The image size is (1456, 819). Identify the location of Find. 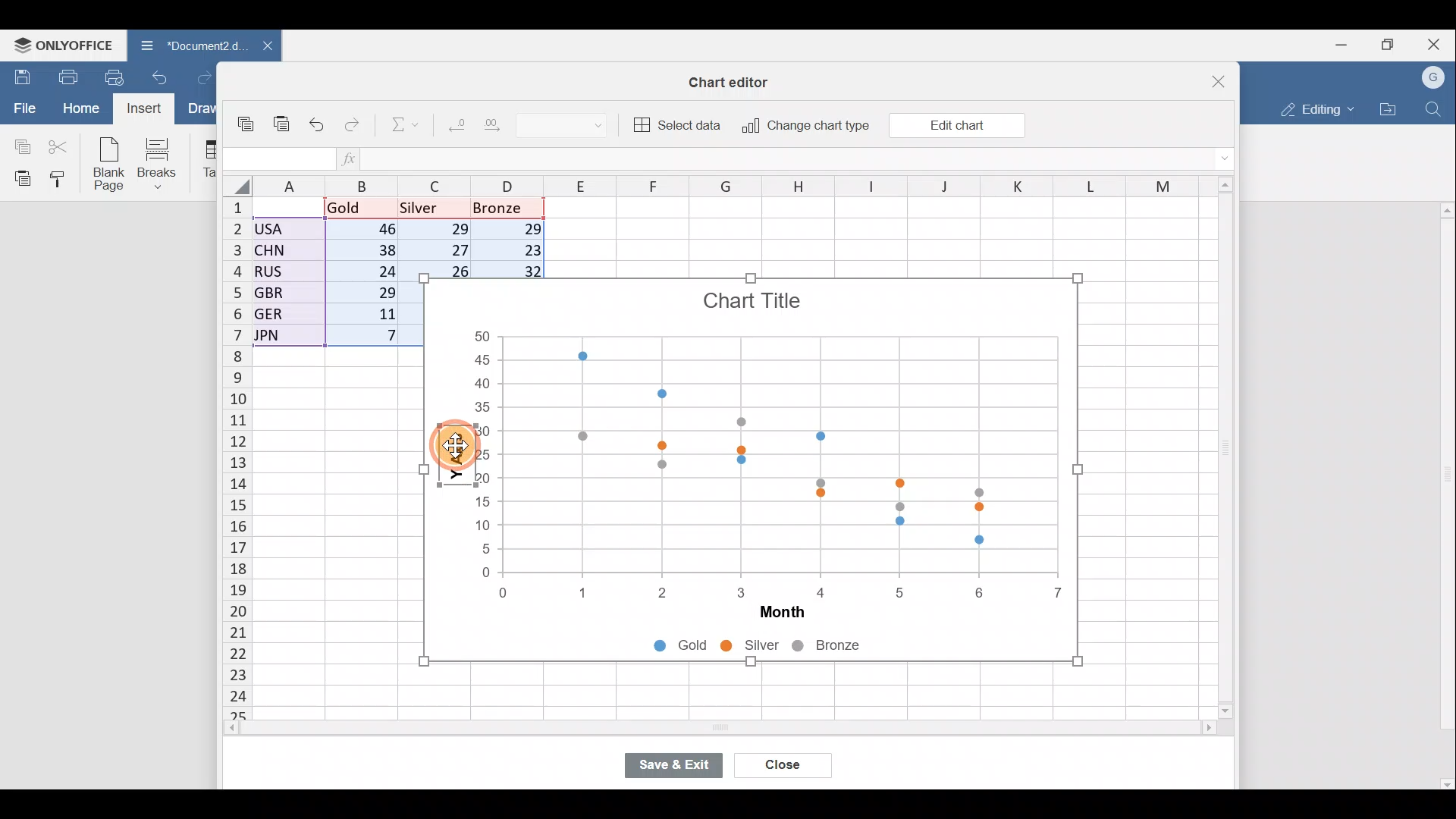
(1434, 109).